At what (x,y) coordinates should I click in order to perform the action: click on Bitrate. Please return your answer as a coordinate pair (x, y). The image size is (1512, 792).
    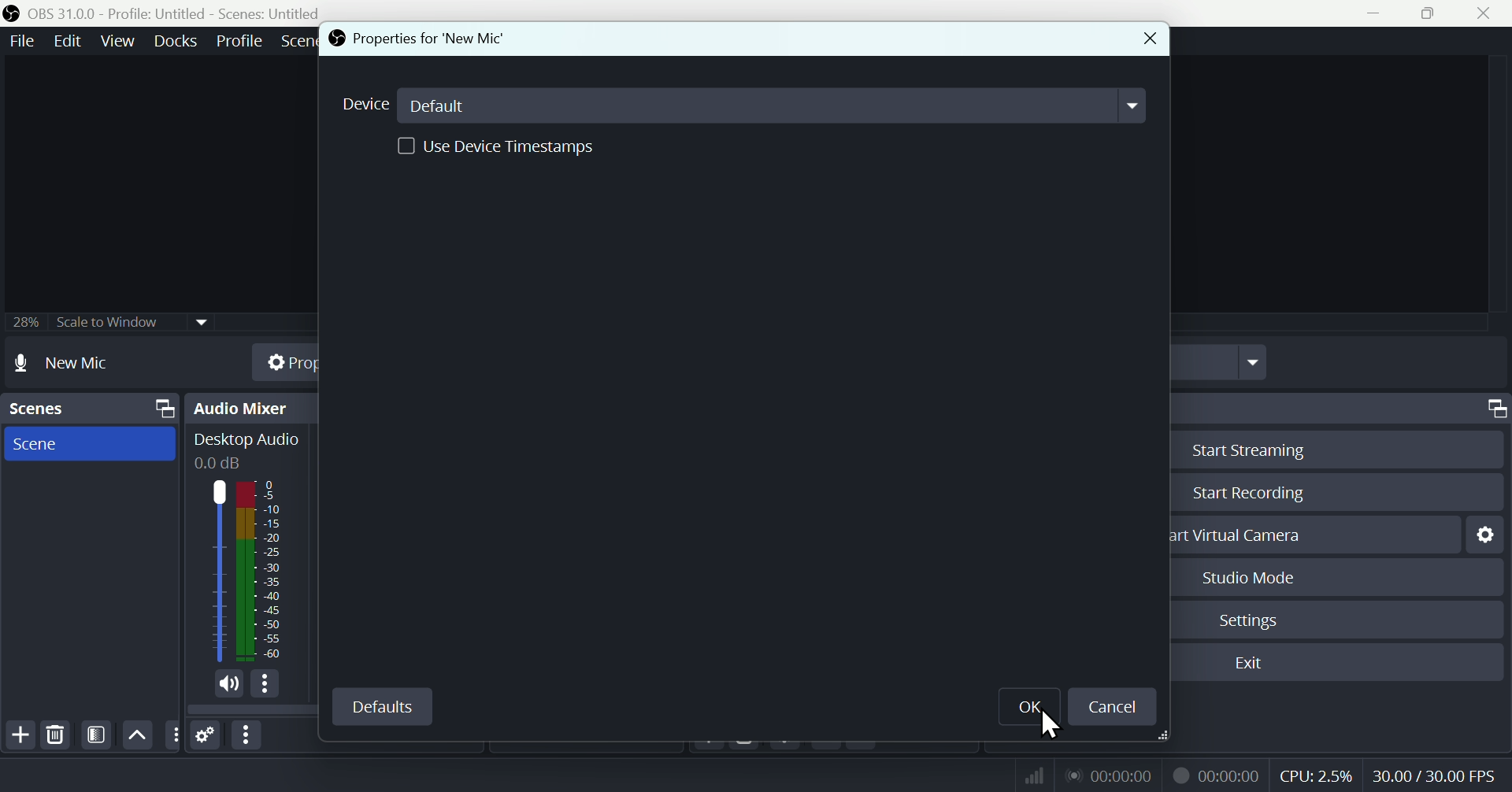
    Looking at the image, I should click on (1032, 774).